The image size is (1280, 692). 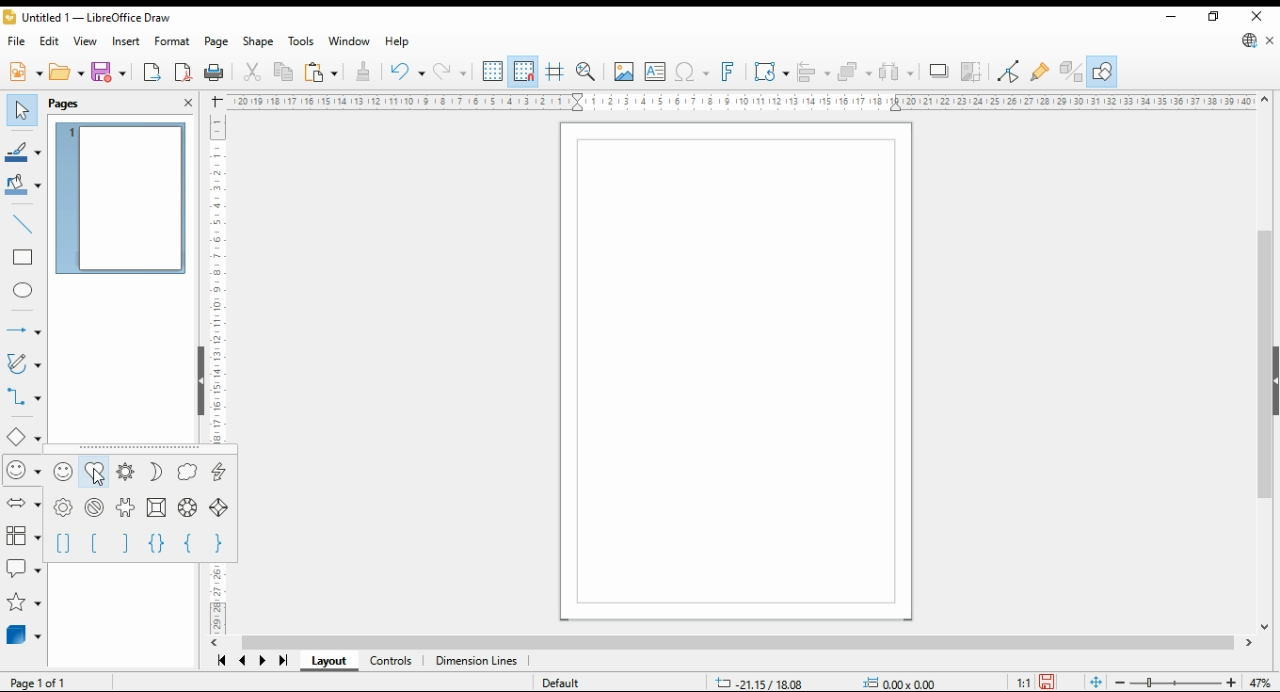 What do you see at coordinates (15, 42) in the screenshot?
I see `file` at bounding box center [15, 42].